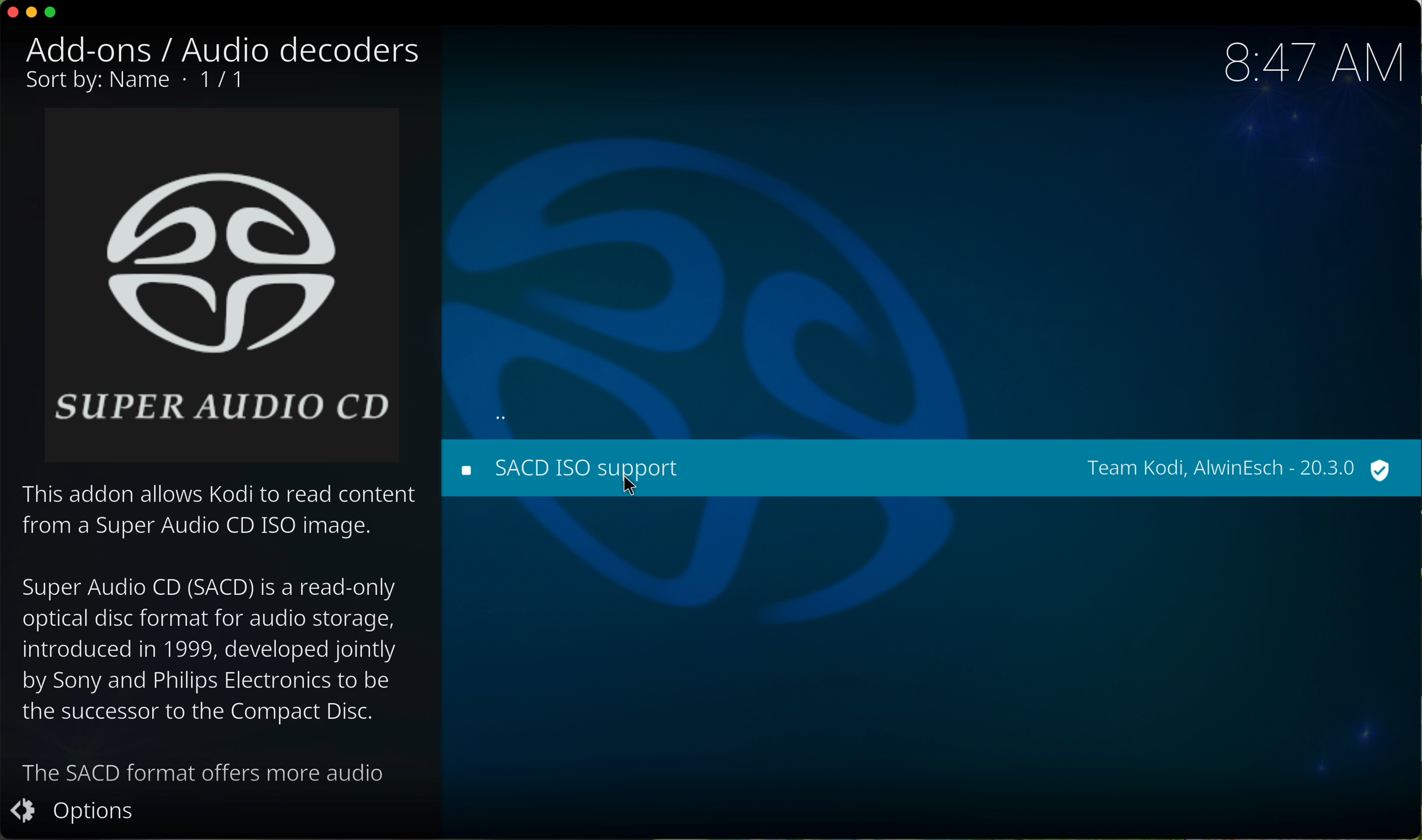 Image resolution: width=1422 pixels, height=840 pixels. What do you see at coordinates (10, 12) in the screenshot?
I see `close` at bounding box center [10, 12].